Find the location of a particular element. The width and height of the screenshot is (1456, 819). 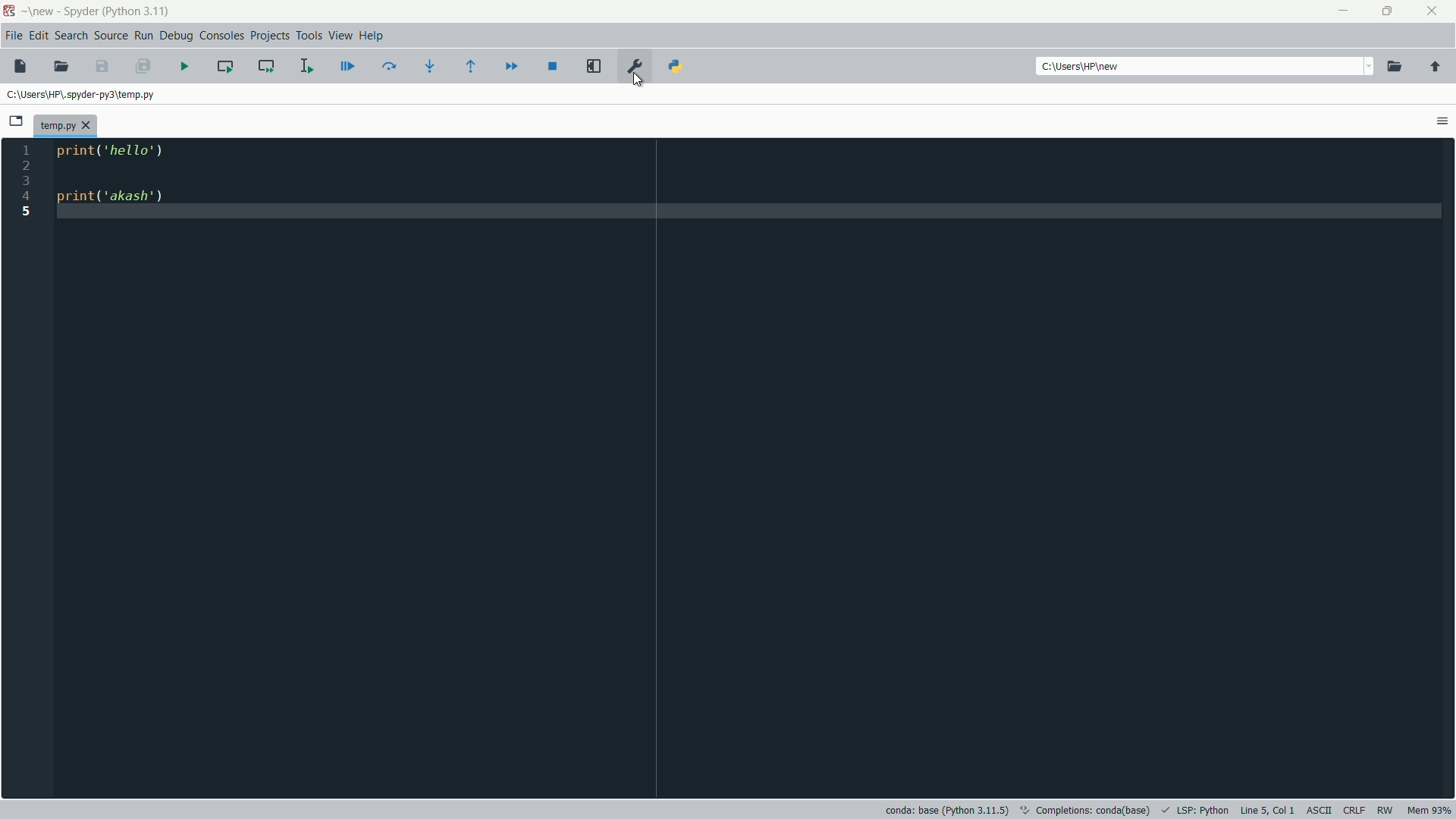

projects menu is located at coordinates (269, 36).